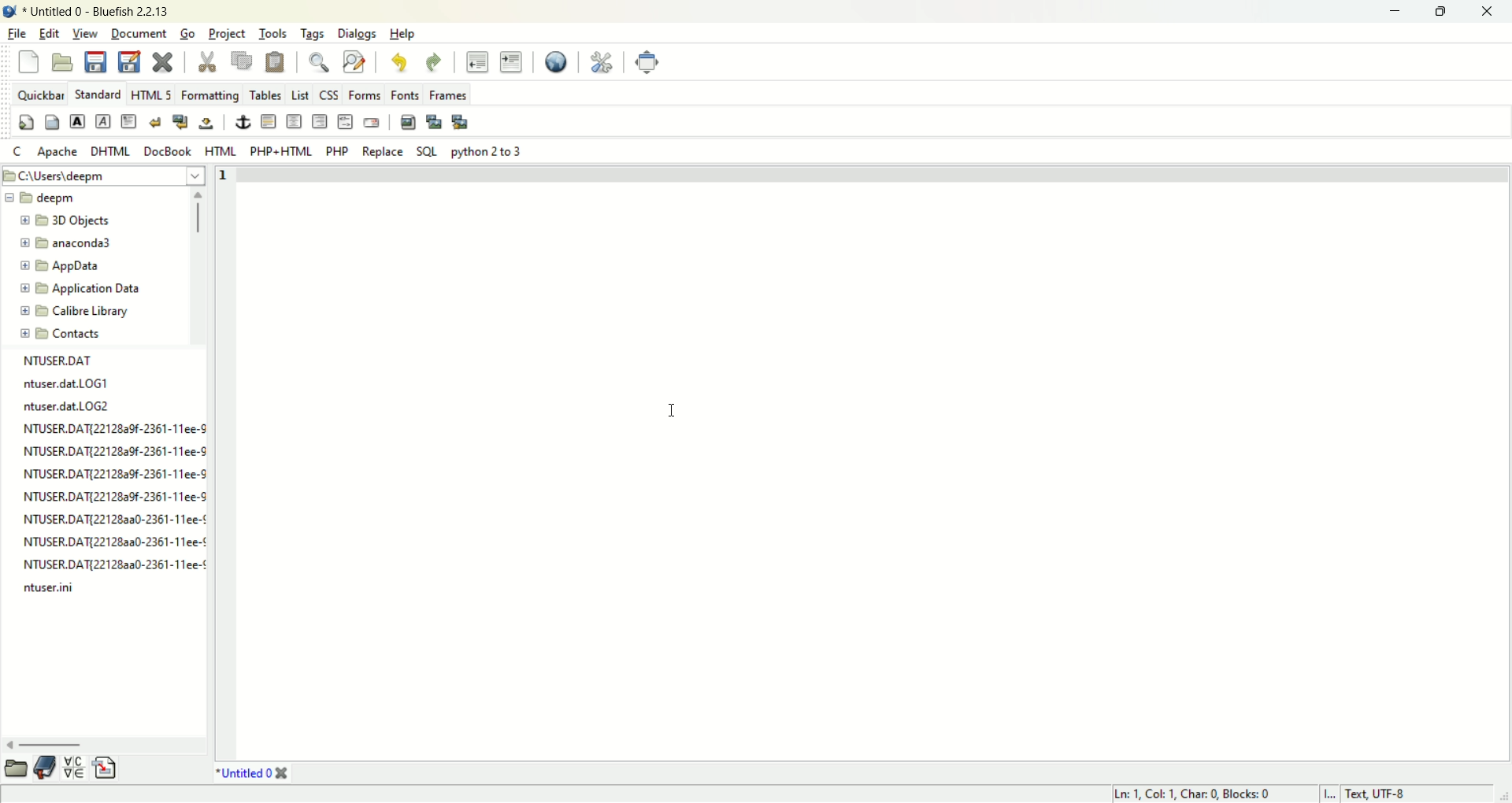 The width and height of the screenshot is (1512, 803). Describe the element at coordinates (386, 151) in the screenshot. I see `Replace` at that location.